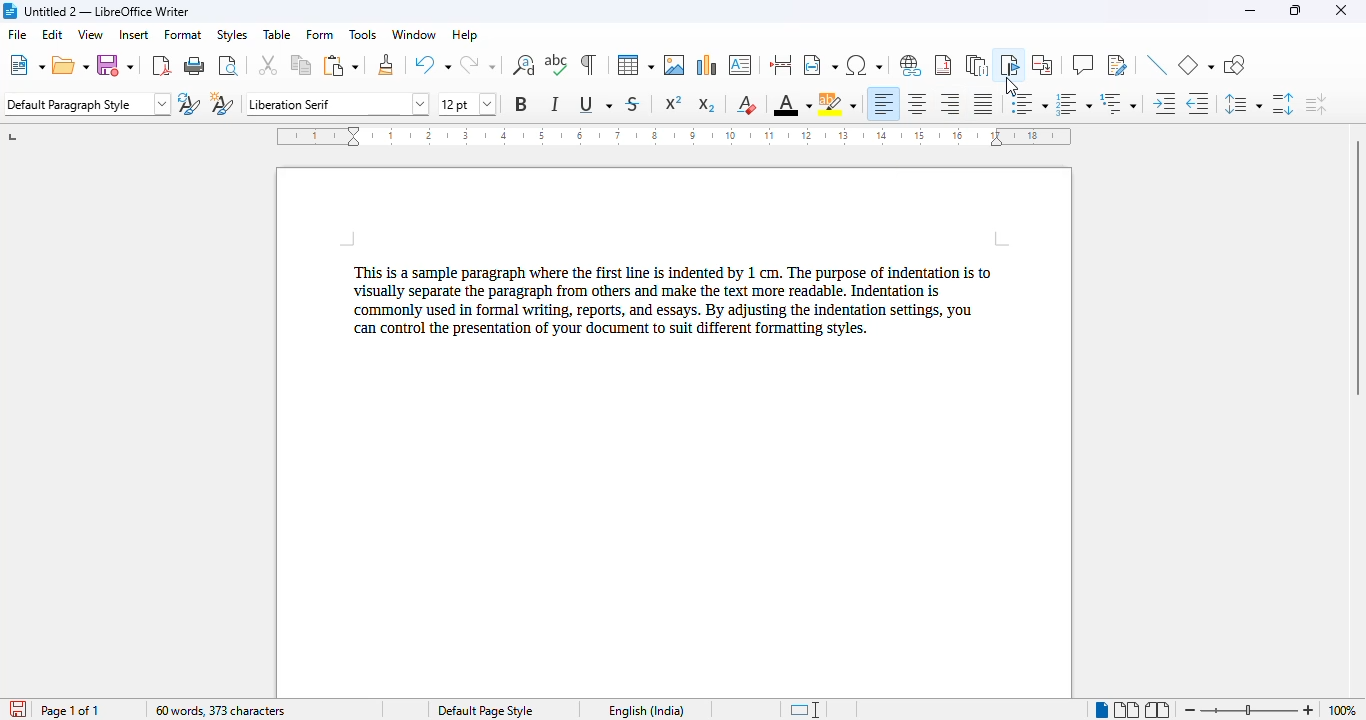 The height and width of the screenshot is (720, 1366). Describe the element at coordinates (107, 11) in the screenshot. I see `title` at that location.